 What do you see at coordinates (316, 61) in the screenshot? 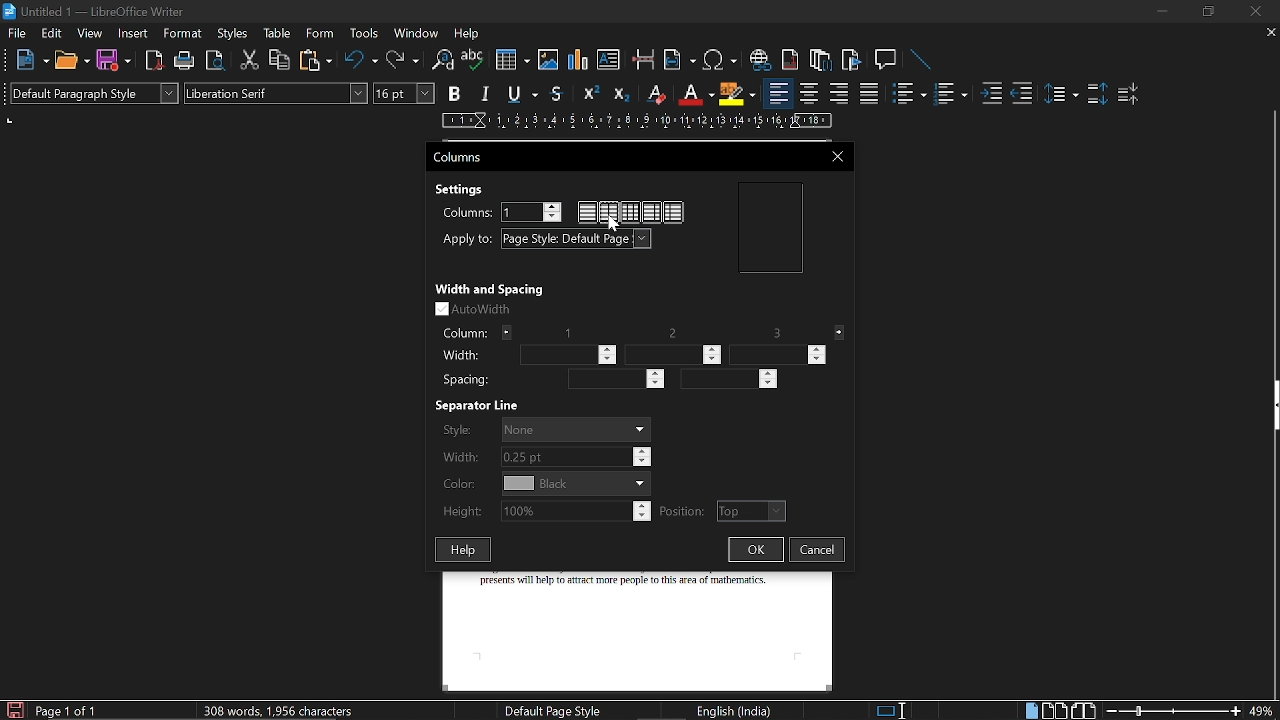
I see `Paste` at bounding box center [316, 61].